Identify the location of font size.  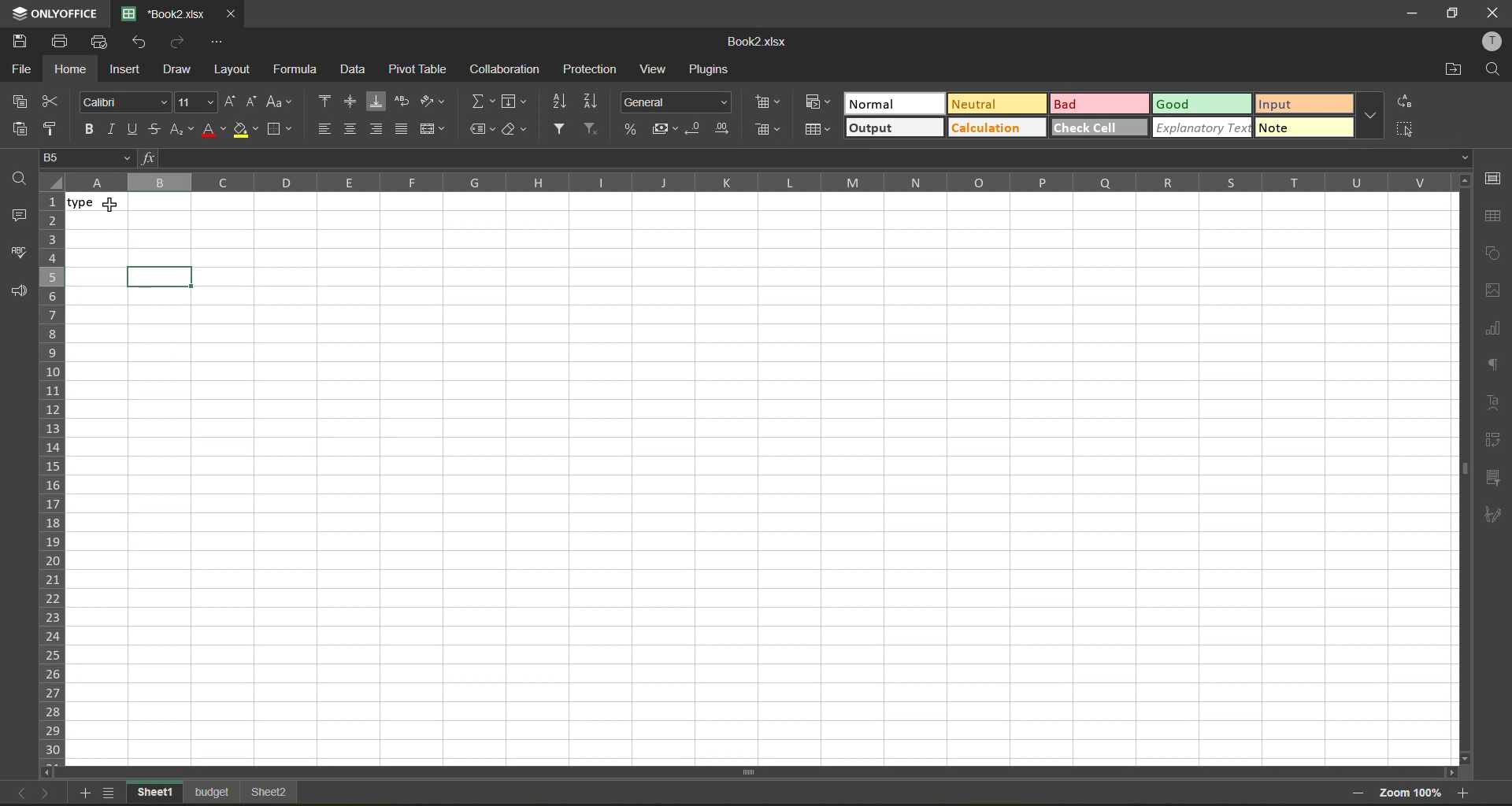
(194, 102).